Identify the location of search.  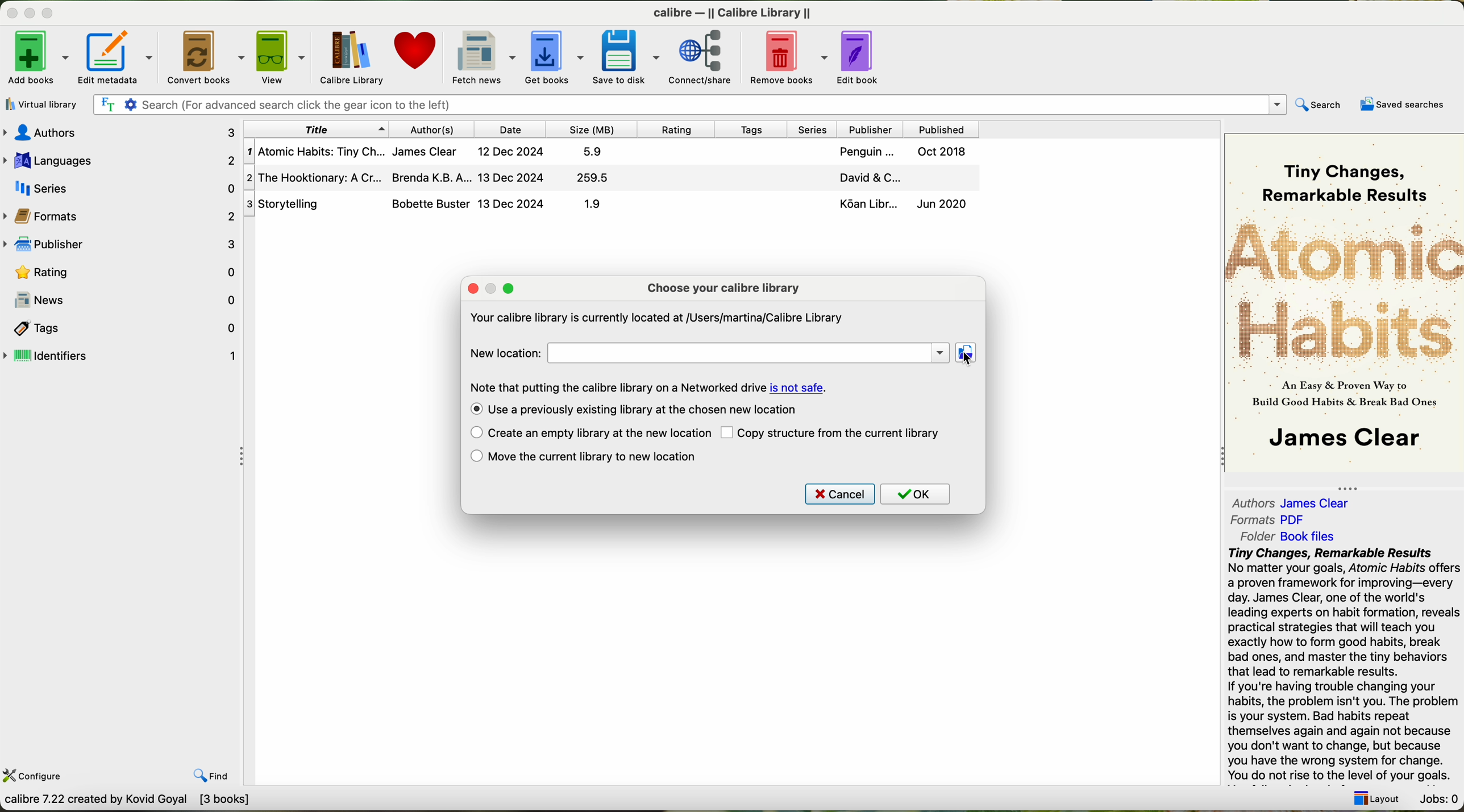
(1320, 105).